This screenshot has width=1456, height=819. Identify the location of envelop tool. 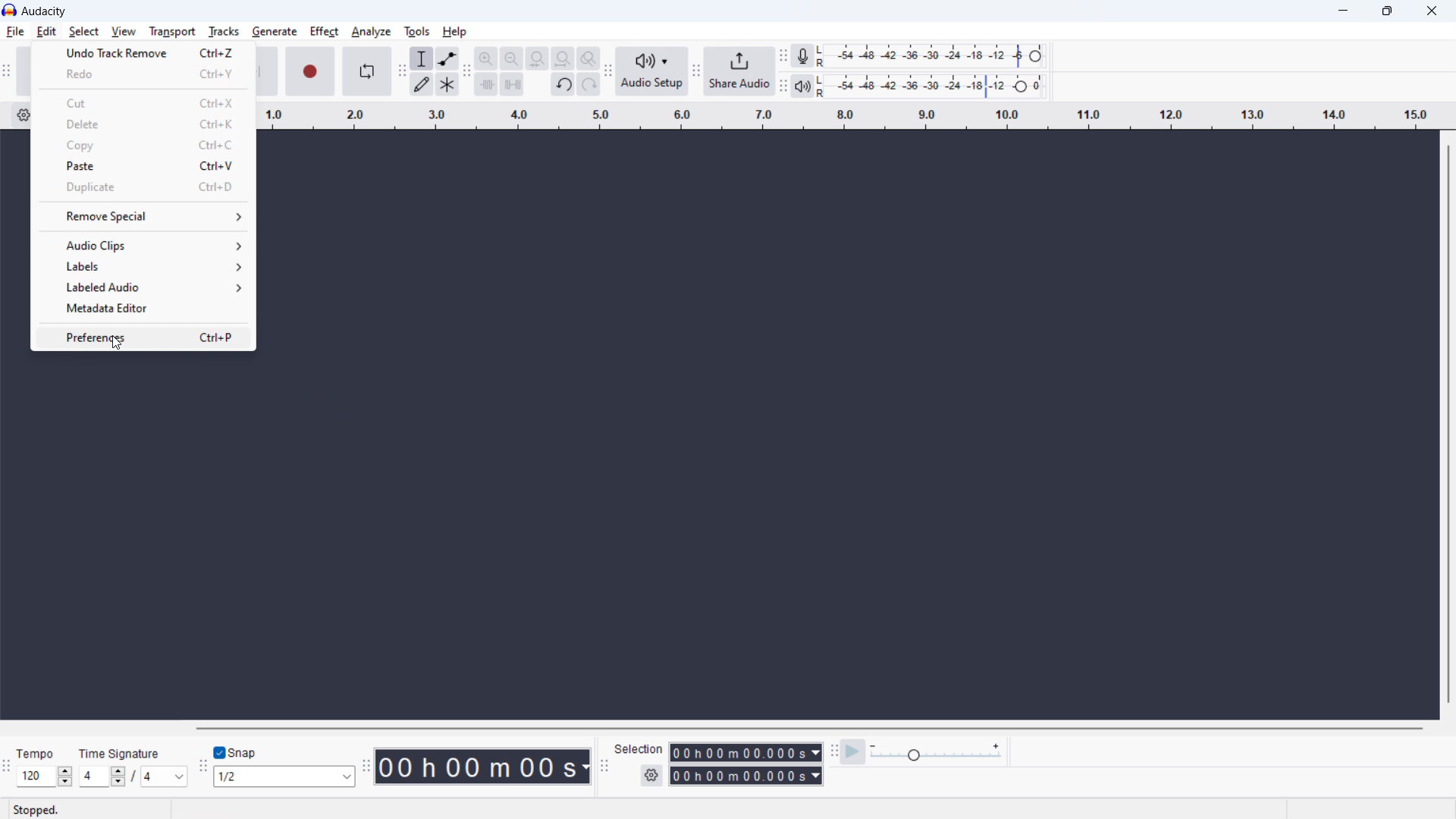
(447, 58).